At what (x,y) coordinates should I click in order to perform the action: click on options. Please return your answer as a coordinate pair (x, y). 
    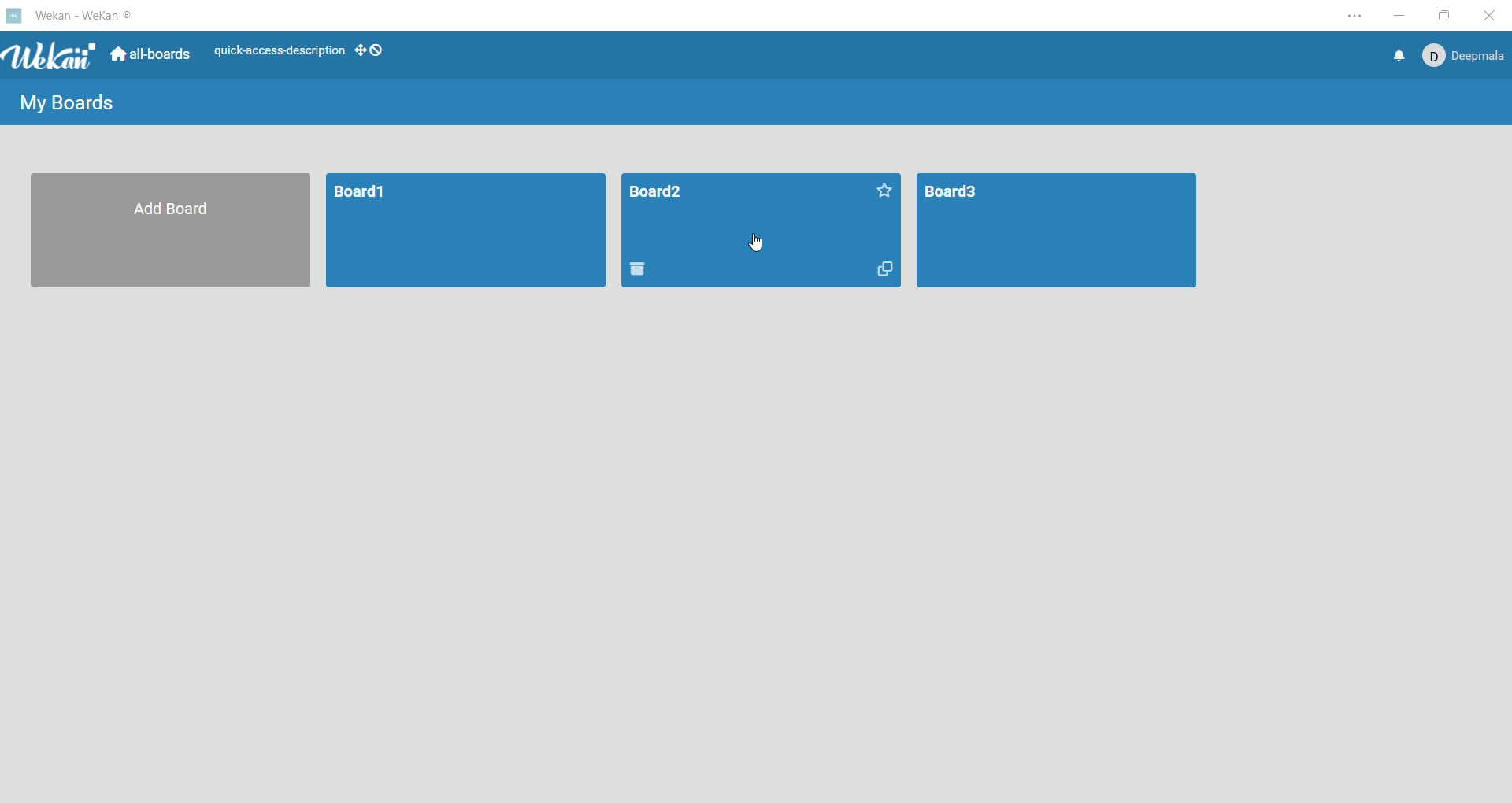
    Looking at the image, I should click on (1357, 16).